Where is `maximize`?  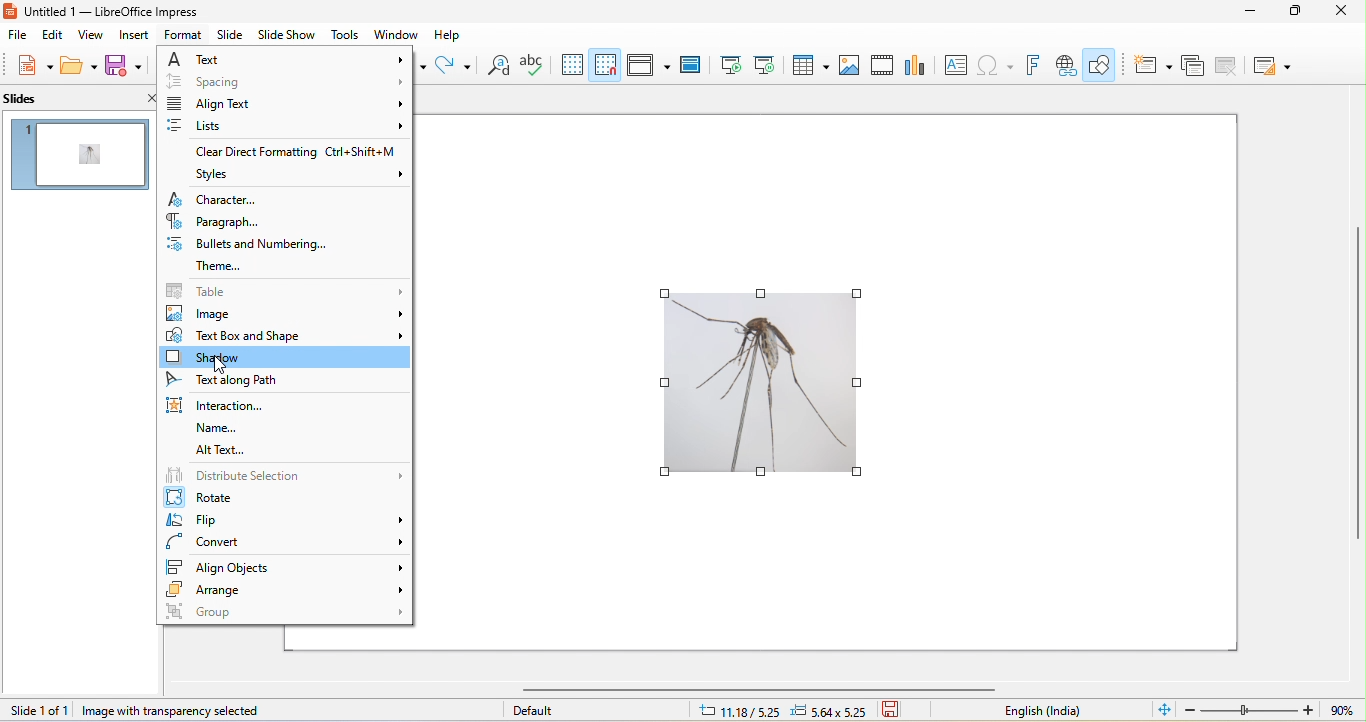
maximize is located at coordinates (1298, 15).